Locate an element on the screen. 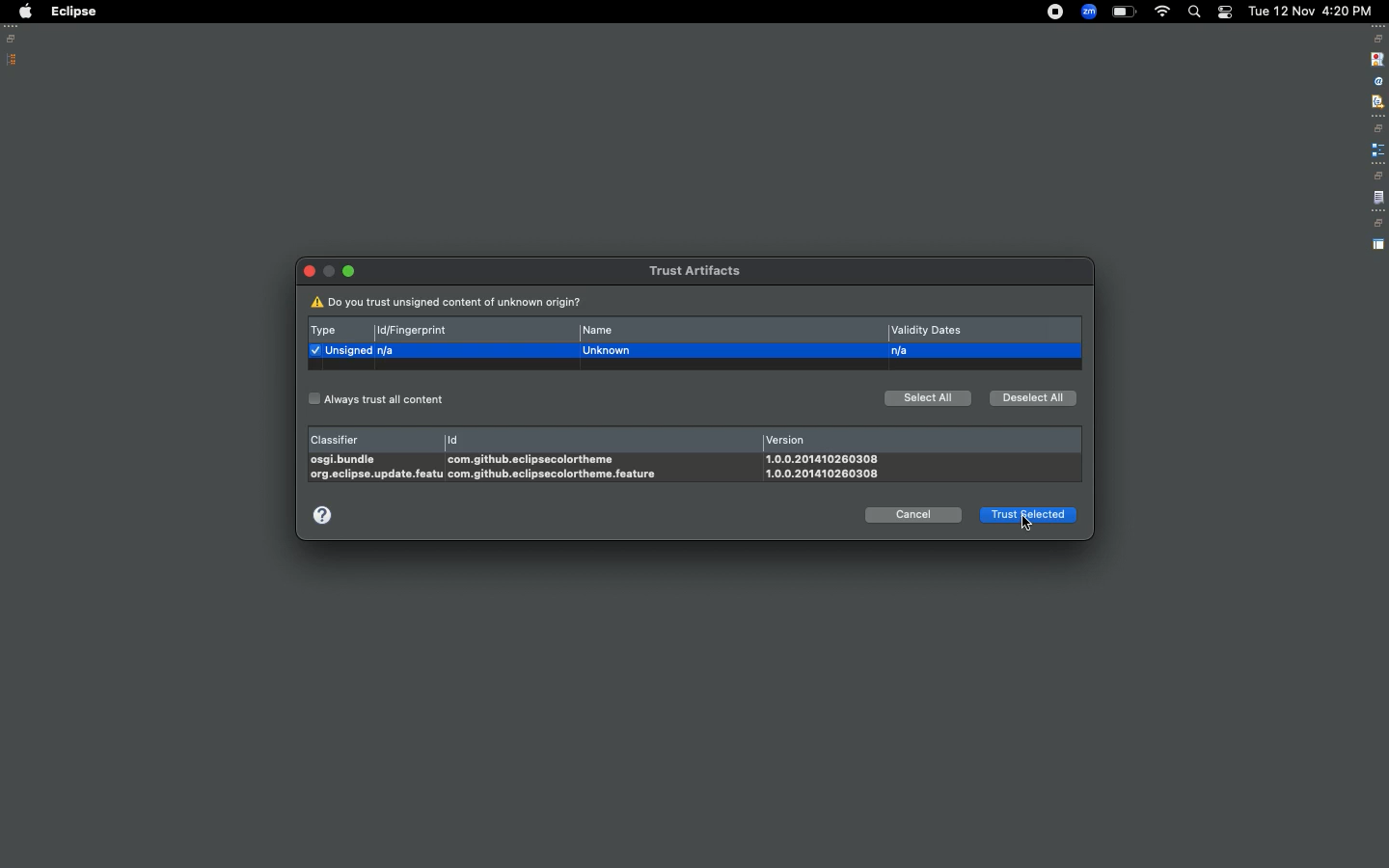 The height and width of the screenshot is (868, 1389). Select all is located at coordinates (928, 399).